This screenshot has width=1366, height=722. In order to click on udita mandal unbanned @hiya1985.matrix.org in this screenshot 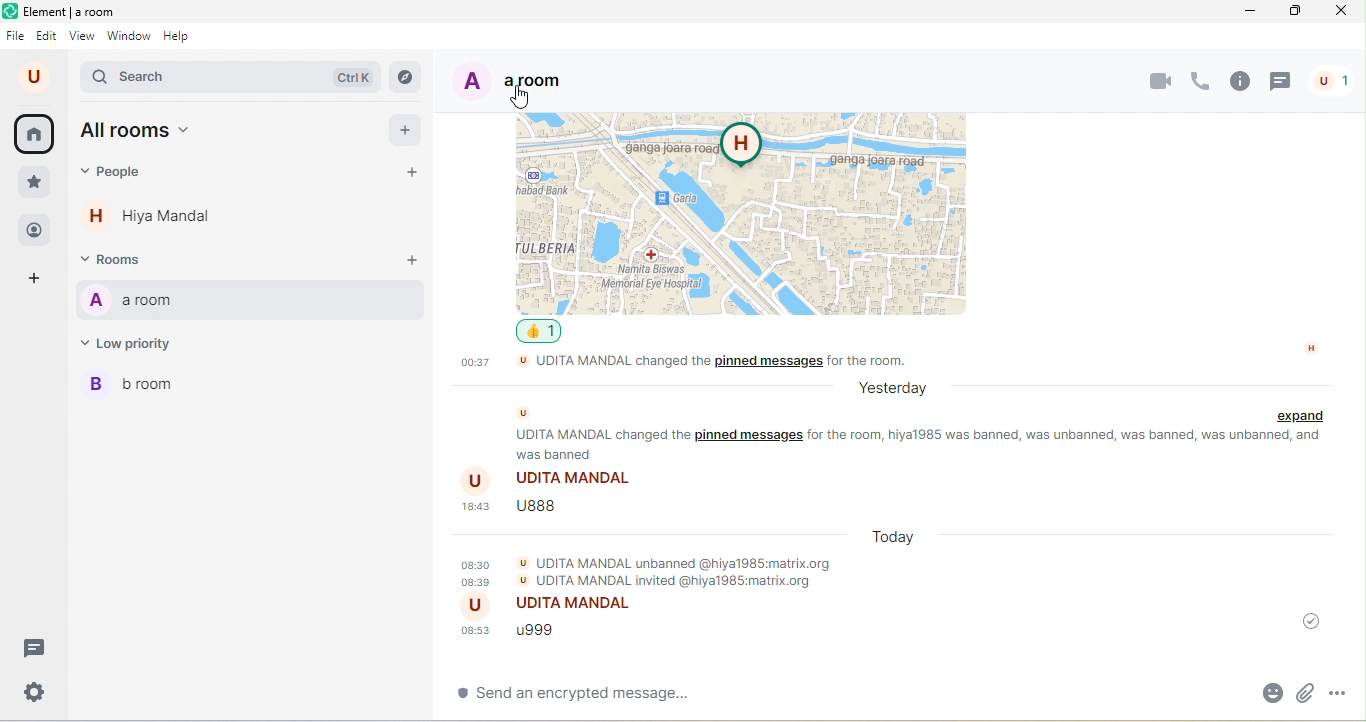, I will do `click(653, 571)`.